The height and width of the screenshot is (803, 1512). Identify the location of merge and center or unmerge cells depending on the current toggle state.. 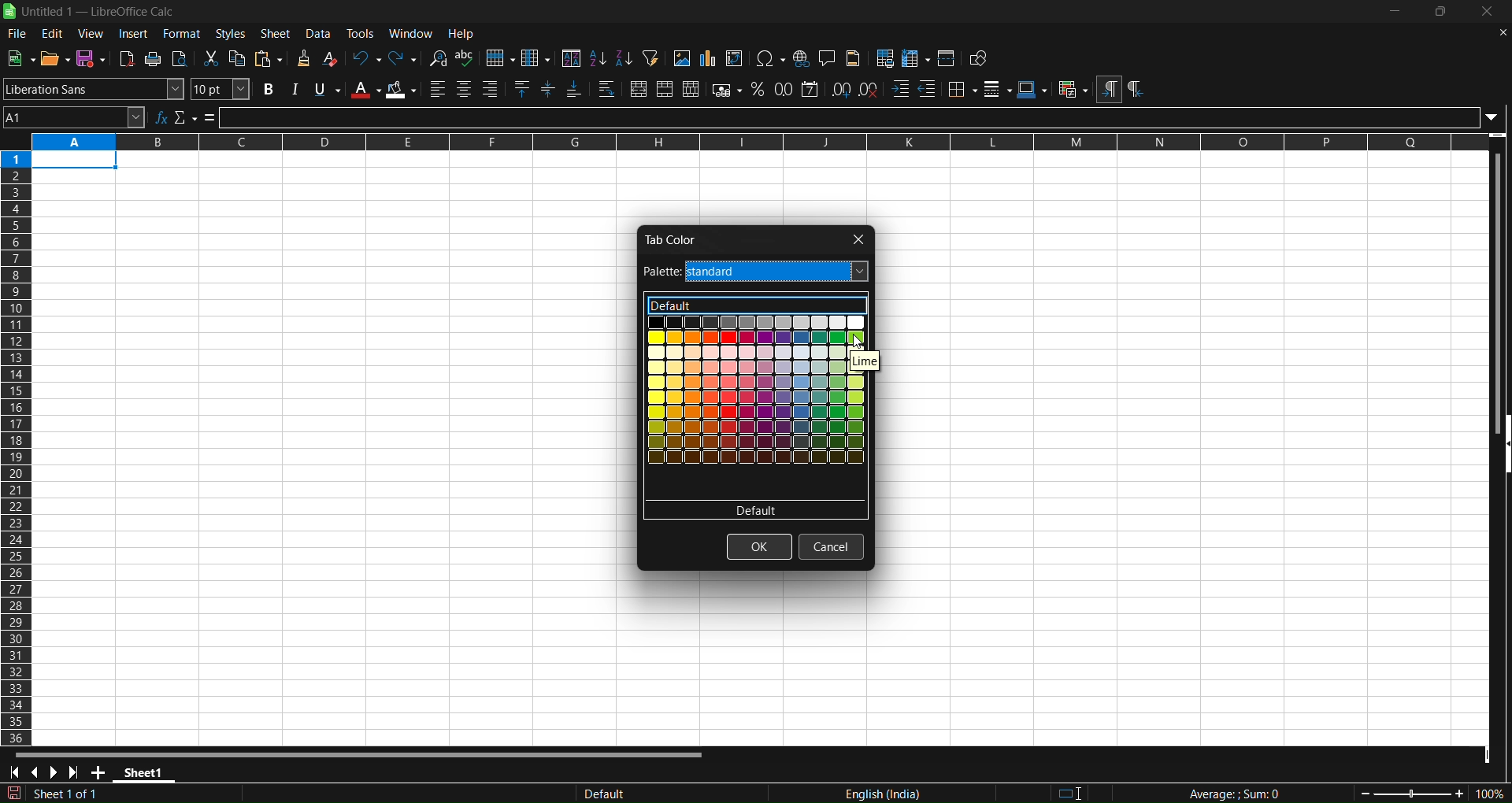
(639, 91).